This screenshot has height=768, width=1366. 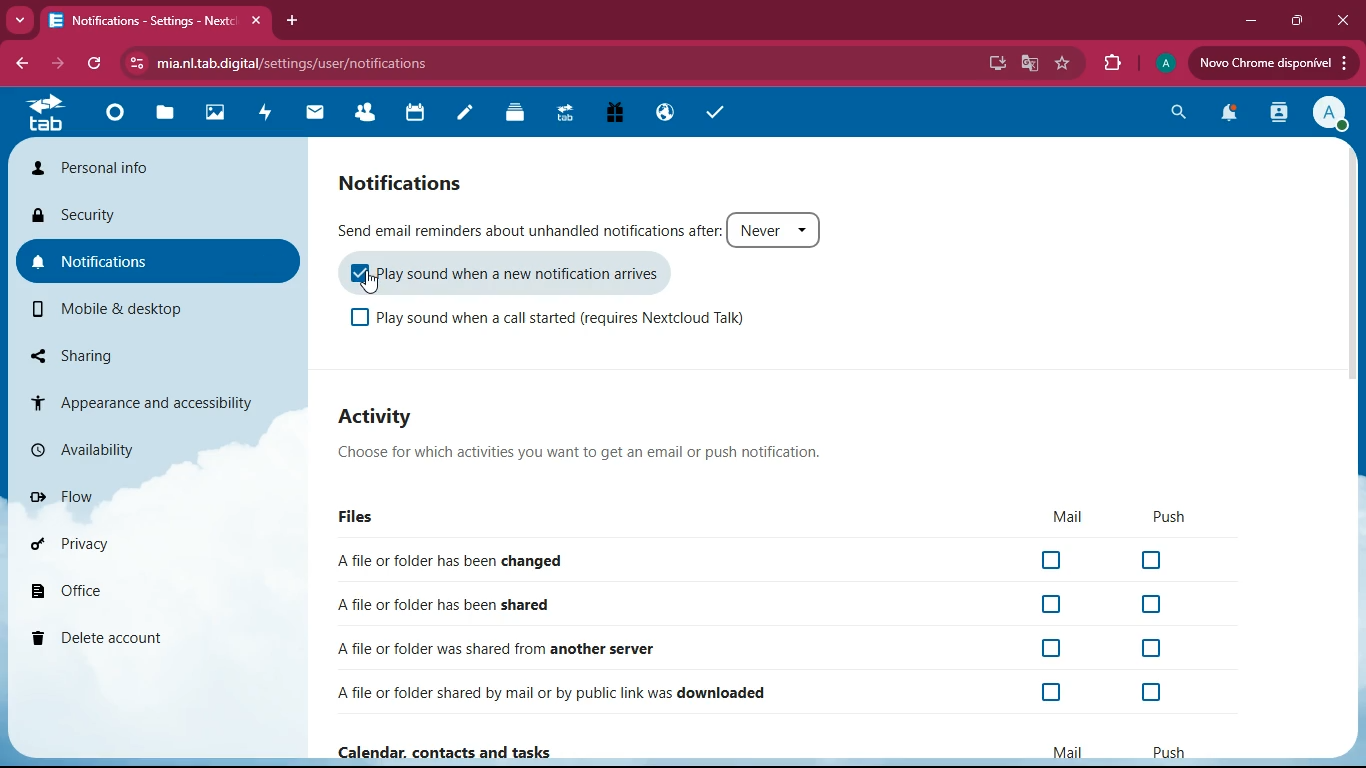 What do you see at coordinates (406, 419) in the screenshot?
I see `activity` at bounding box center [406, 419].